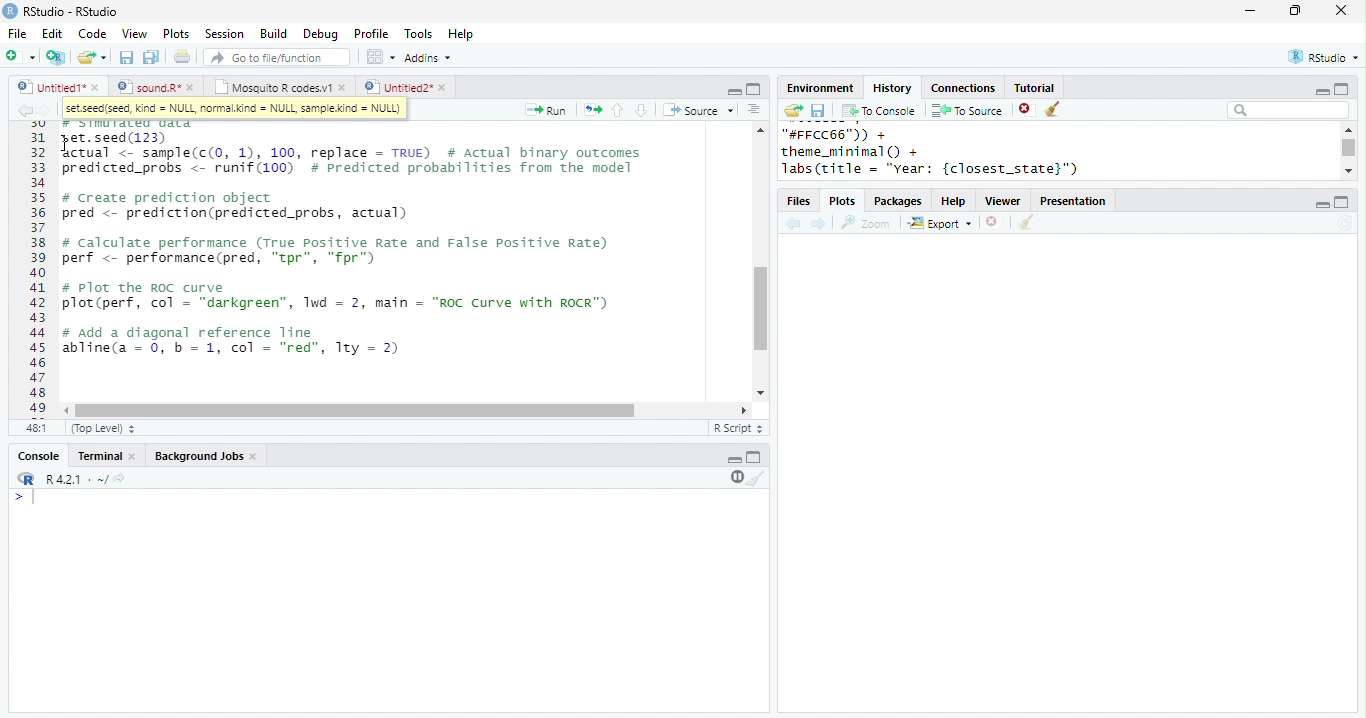  What do you see at coordinates (334, 251) in the screenshot?
I see `# calculate performance (True Positive Rate and False Positive Rate)
perf <- performance(pred, “tpr", “fpr")` at bounding box center [334, 251].